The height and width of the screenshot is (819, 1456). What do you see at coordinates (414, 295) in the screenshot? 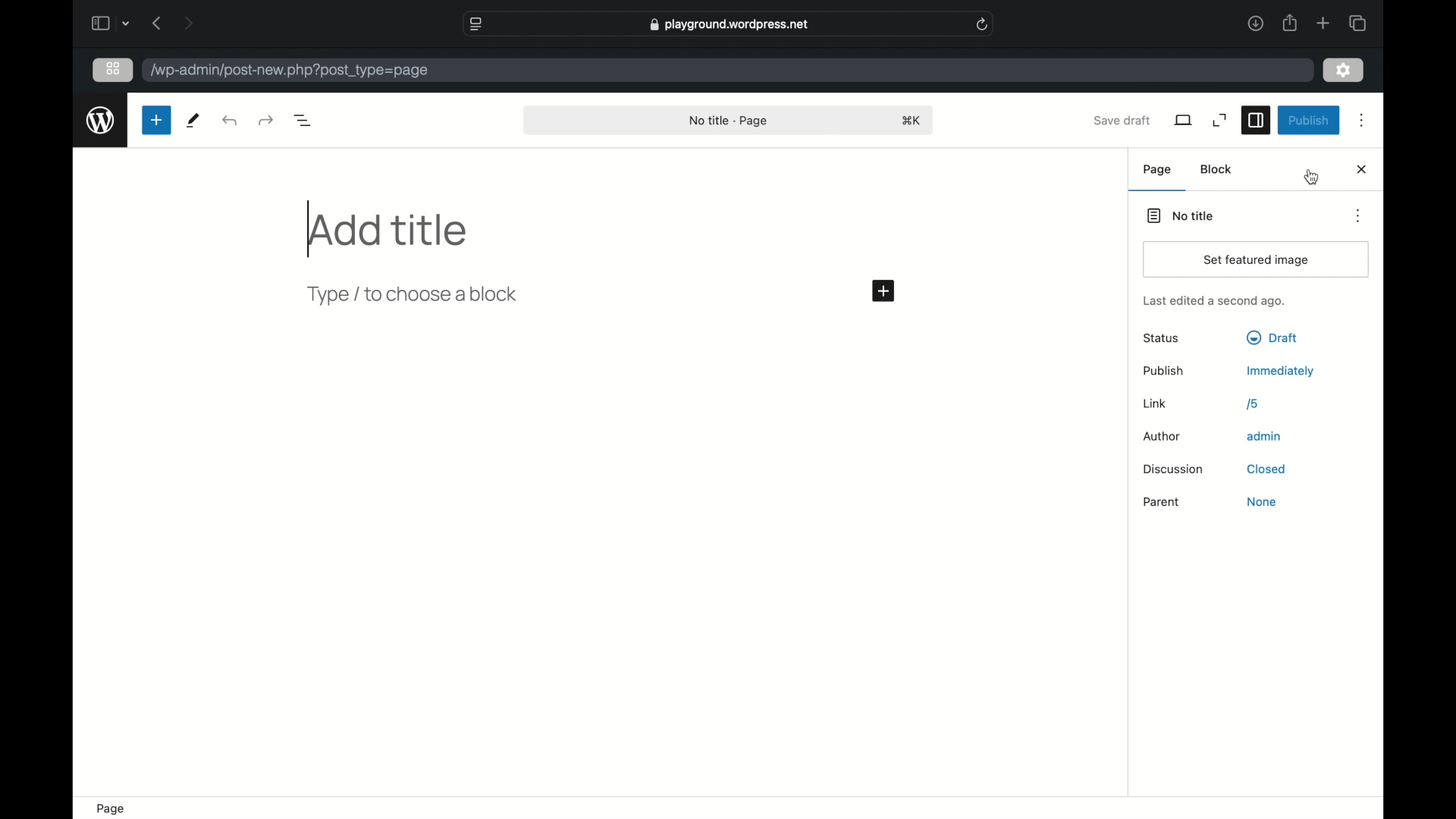
I see `type/ to choose a block` at bounding box center [414, 295].